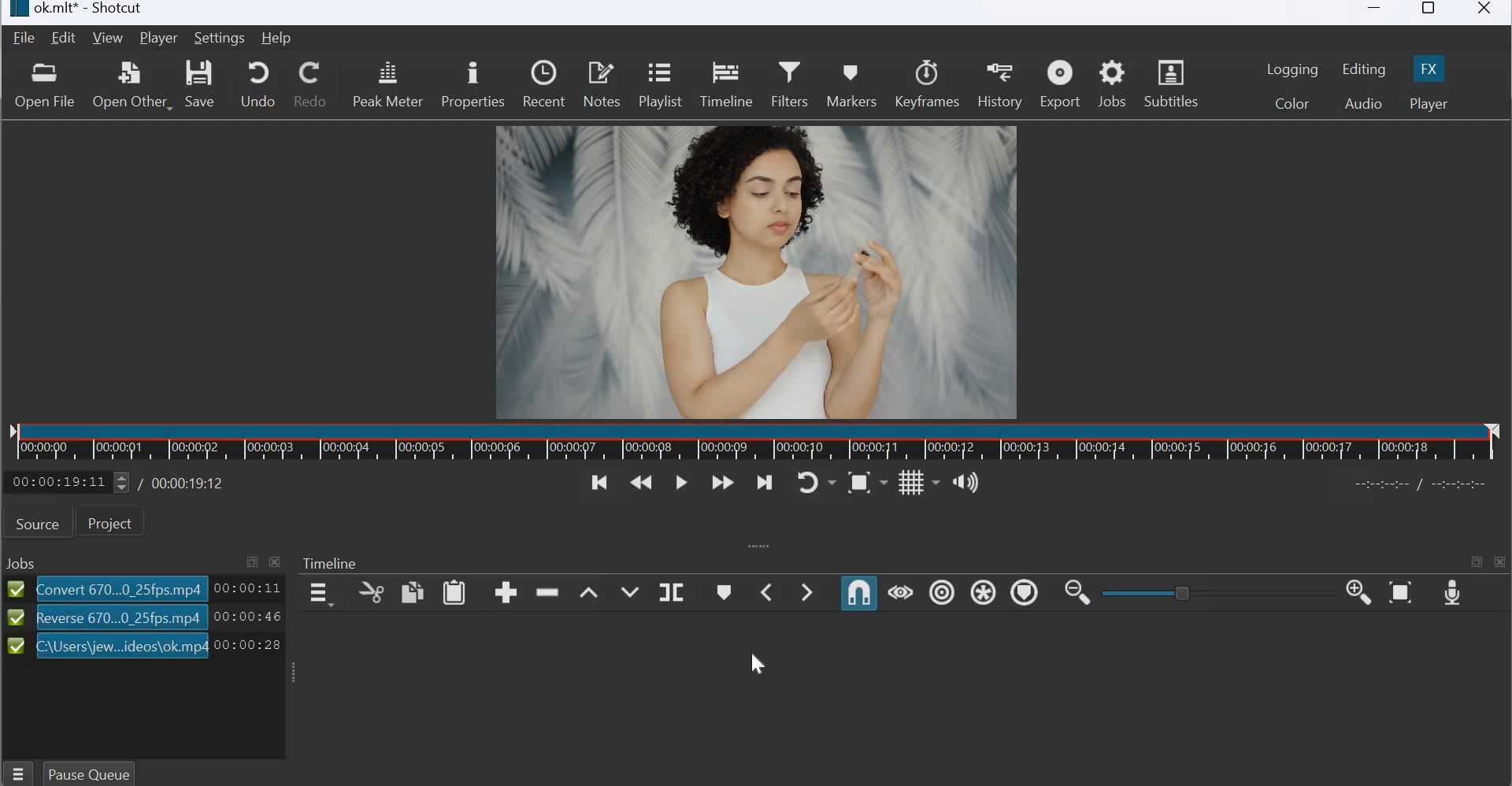  Describe the element at coordinates (123, 646) in the screenshot. I see `mp4 file 3` at that location.